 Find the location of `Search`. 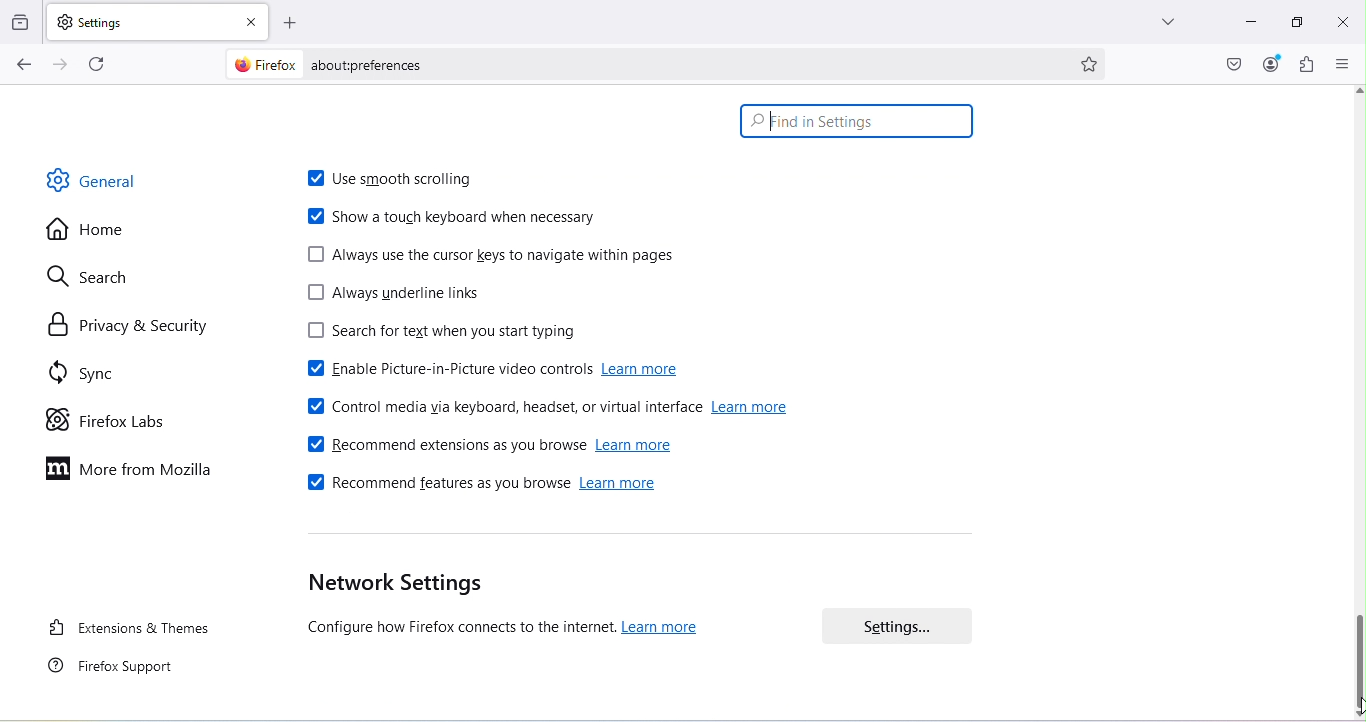

Search is located at coordinates (84, 277).